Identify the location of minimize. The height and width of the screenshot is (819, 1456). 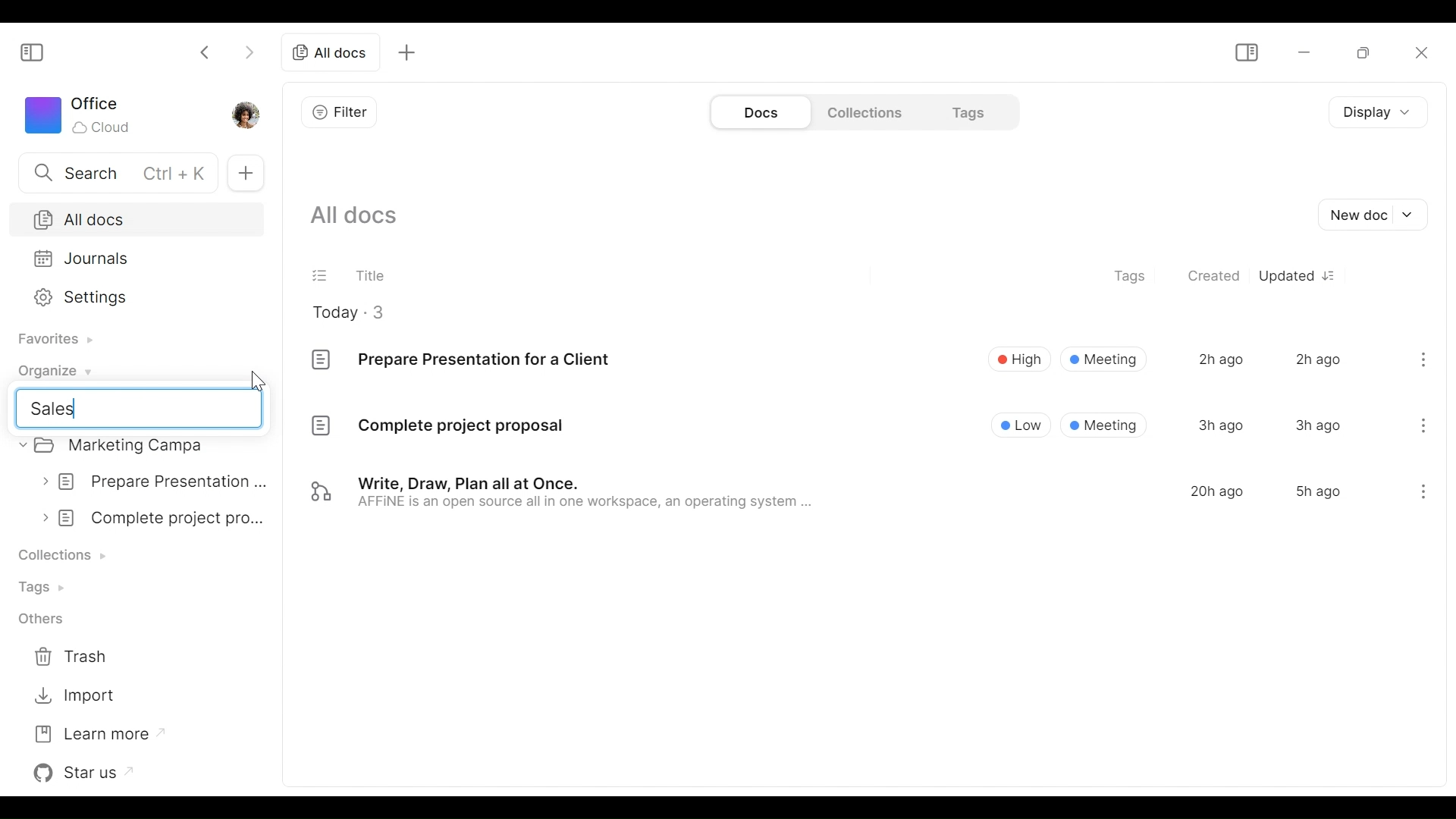
(1302, 52).